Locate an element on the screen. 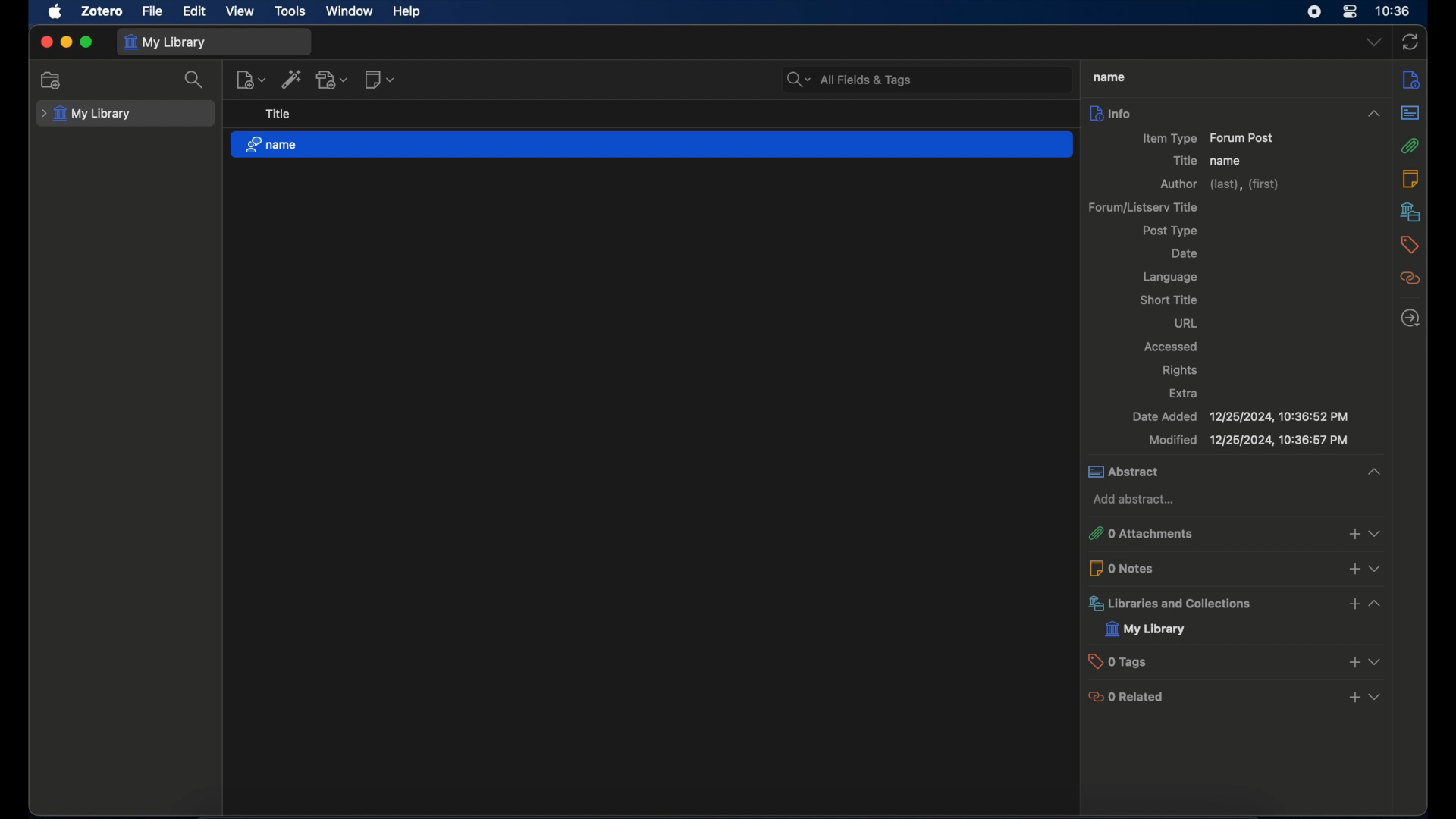  info is located at coordinates (1235, 113).